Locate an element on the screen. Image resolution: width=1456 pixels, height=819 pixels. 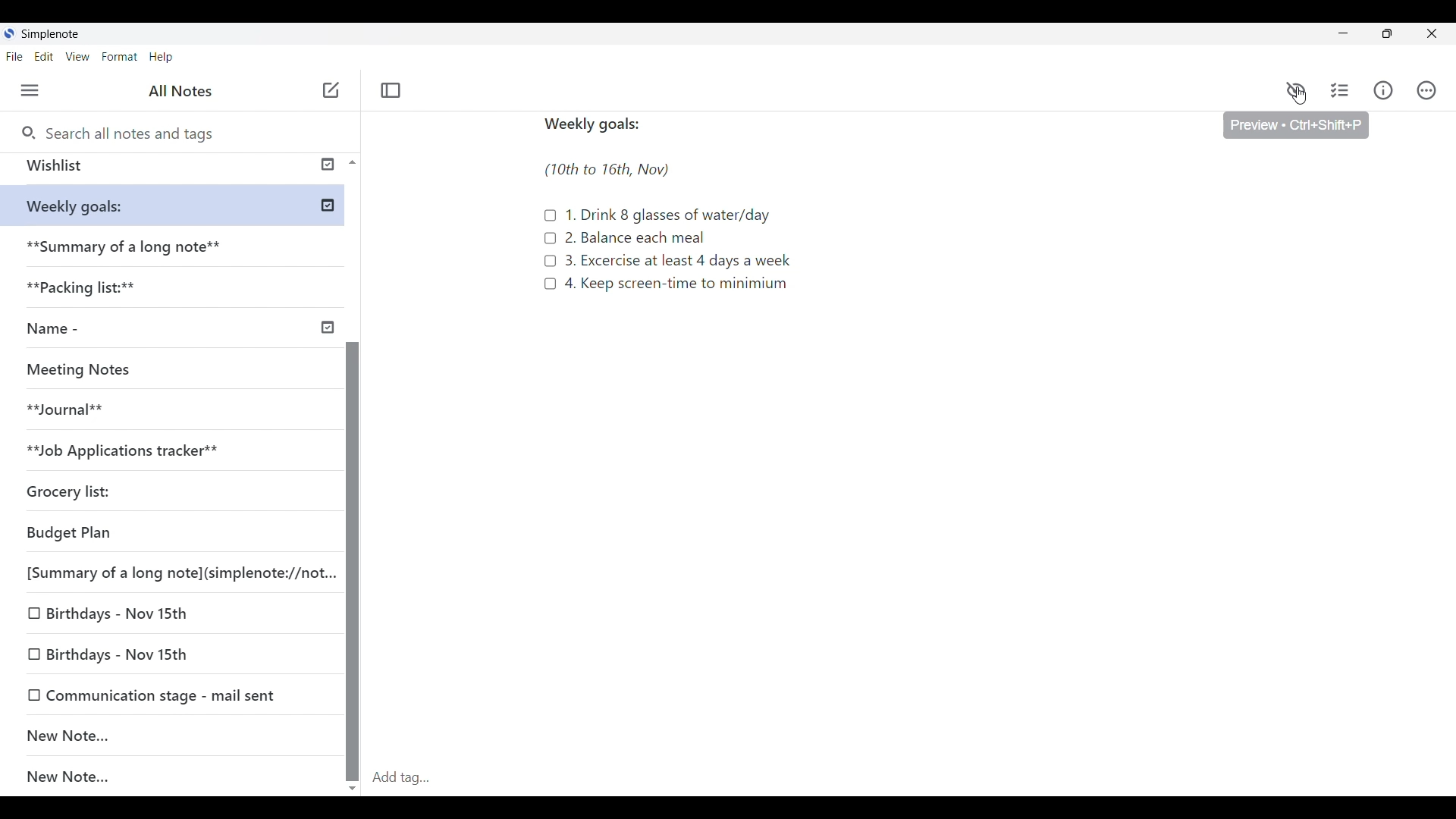
View is located at coordinates (80, 58).